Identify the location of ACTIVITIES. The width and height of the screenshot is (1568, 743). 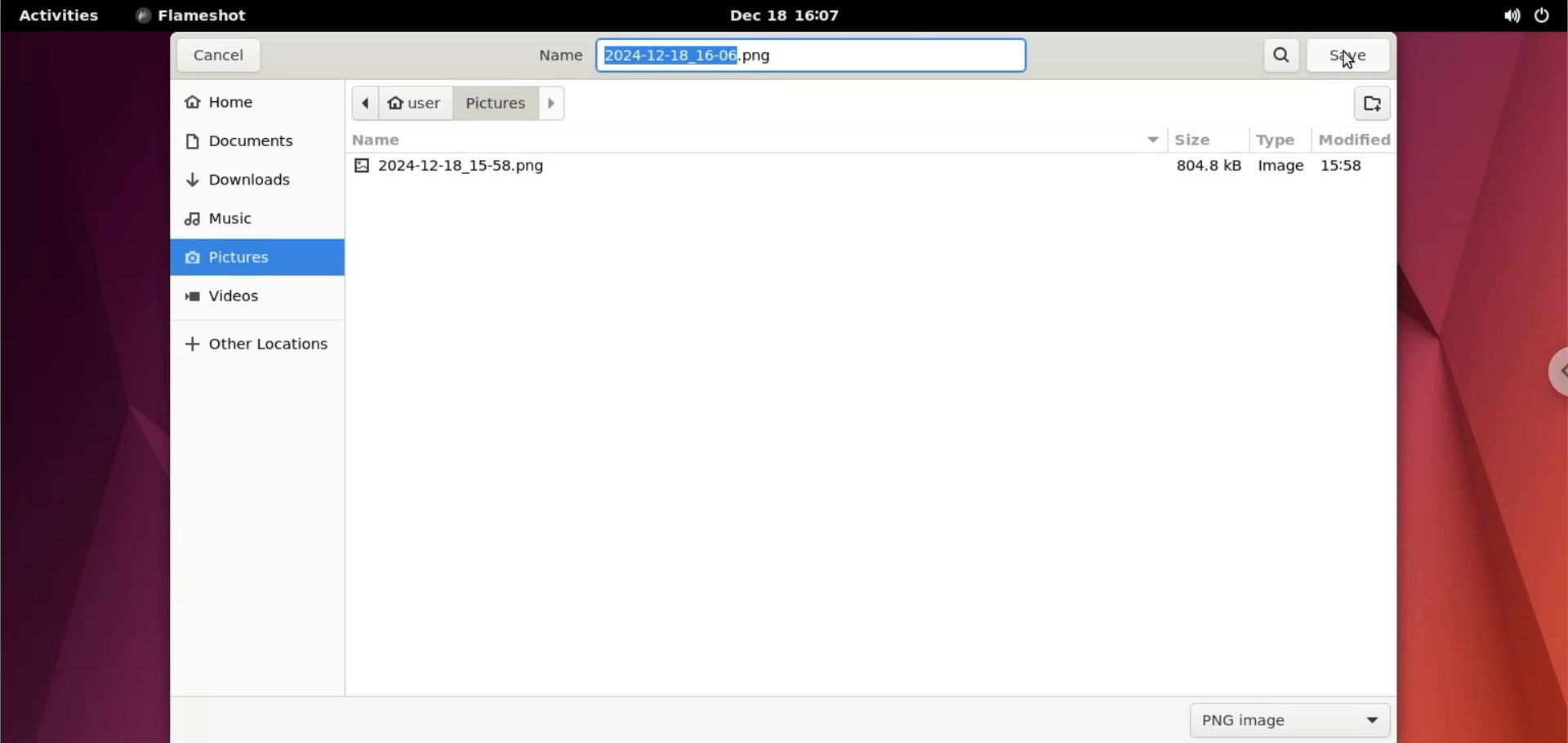
(58, 16).